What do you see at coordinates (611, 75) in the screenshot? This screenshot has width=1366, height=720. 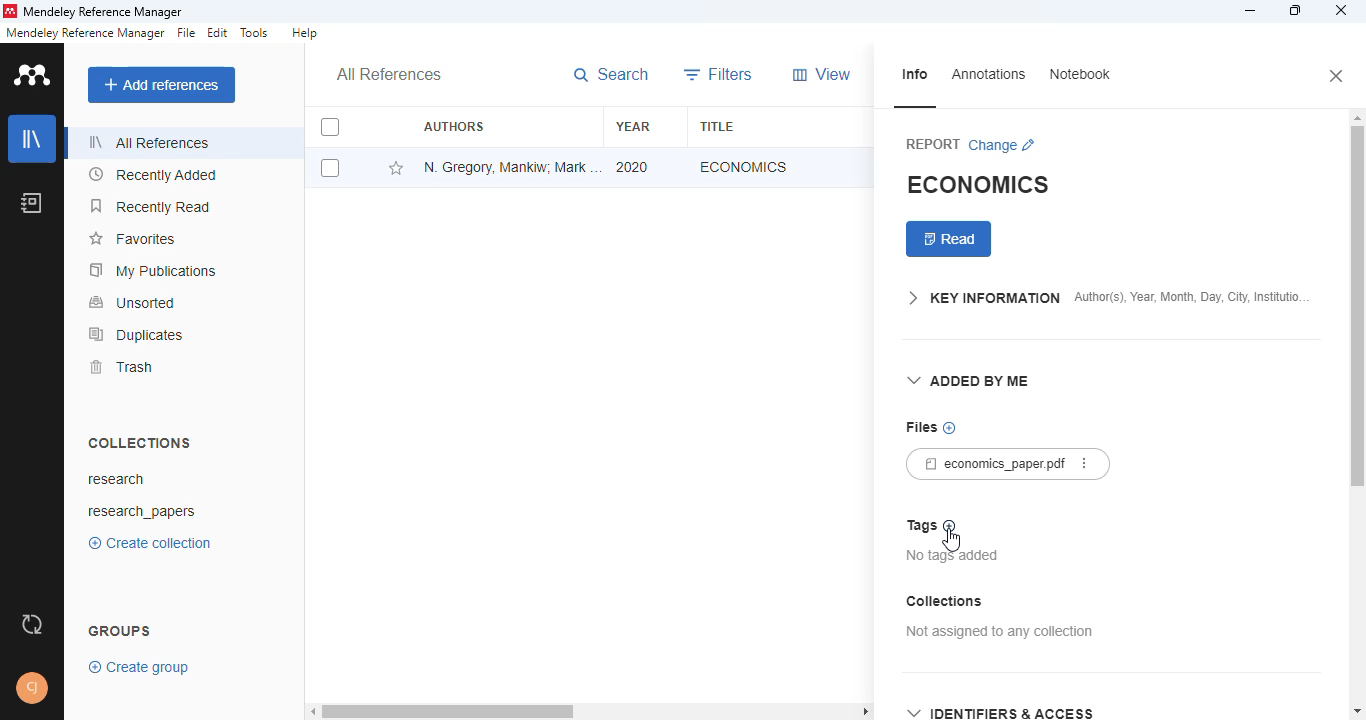 I see `search` at bounding box center [611, 75].